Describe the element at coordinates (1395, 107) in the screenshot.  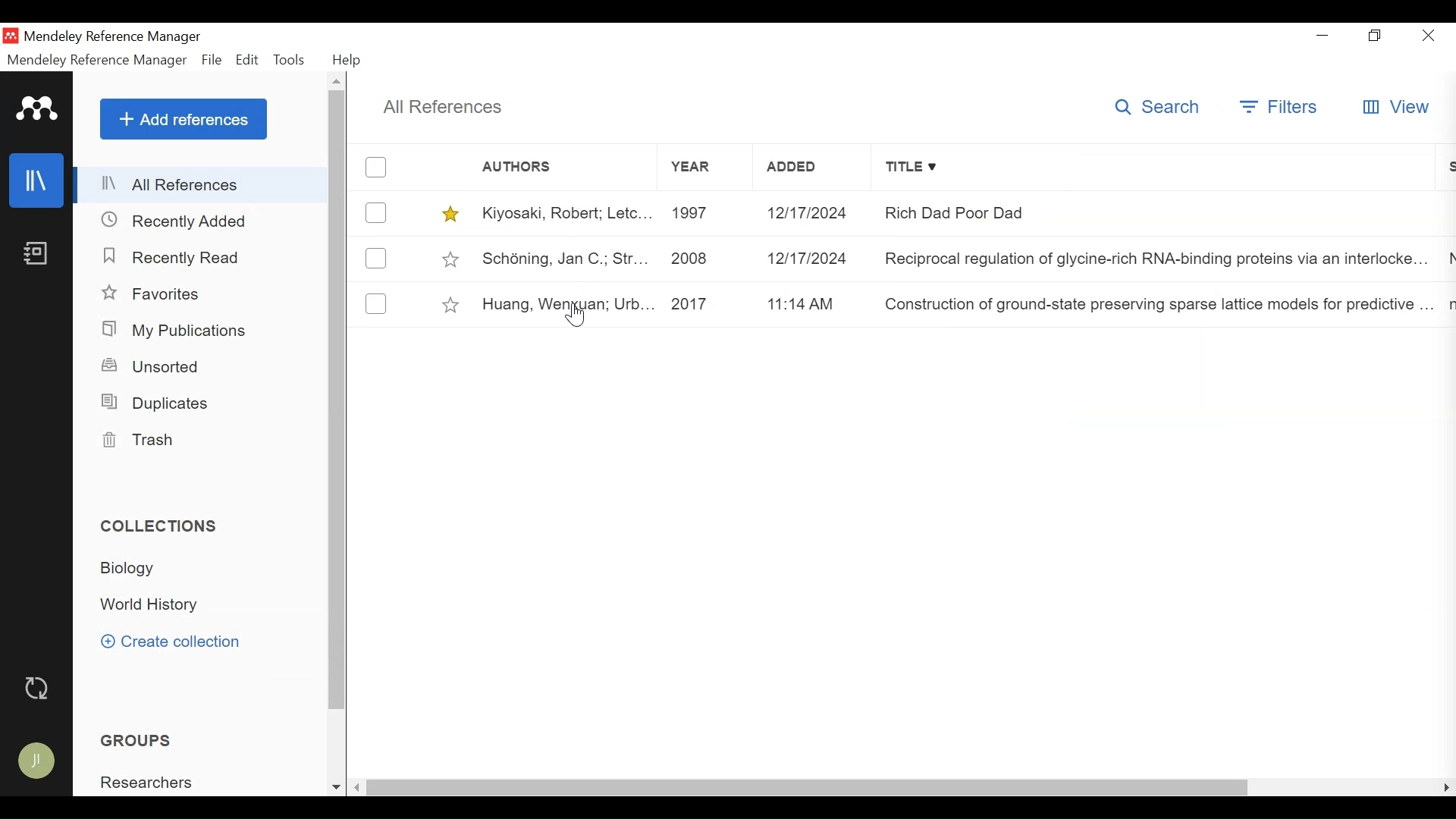
I see `View` at that location.